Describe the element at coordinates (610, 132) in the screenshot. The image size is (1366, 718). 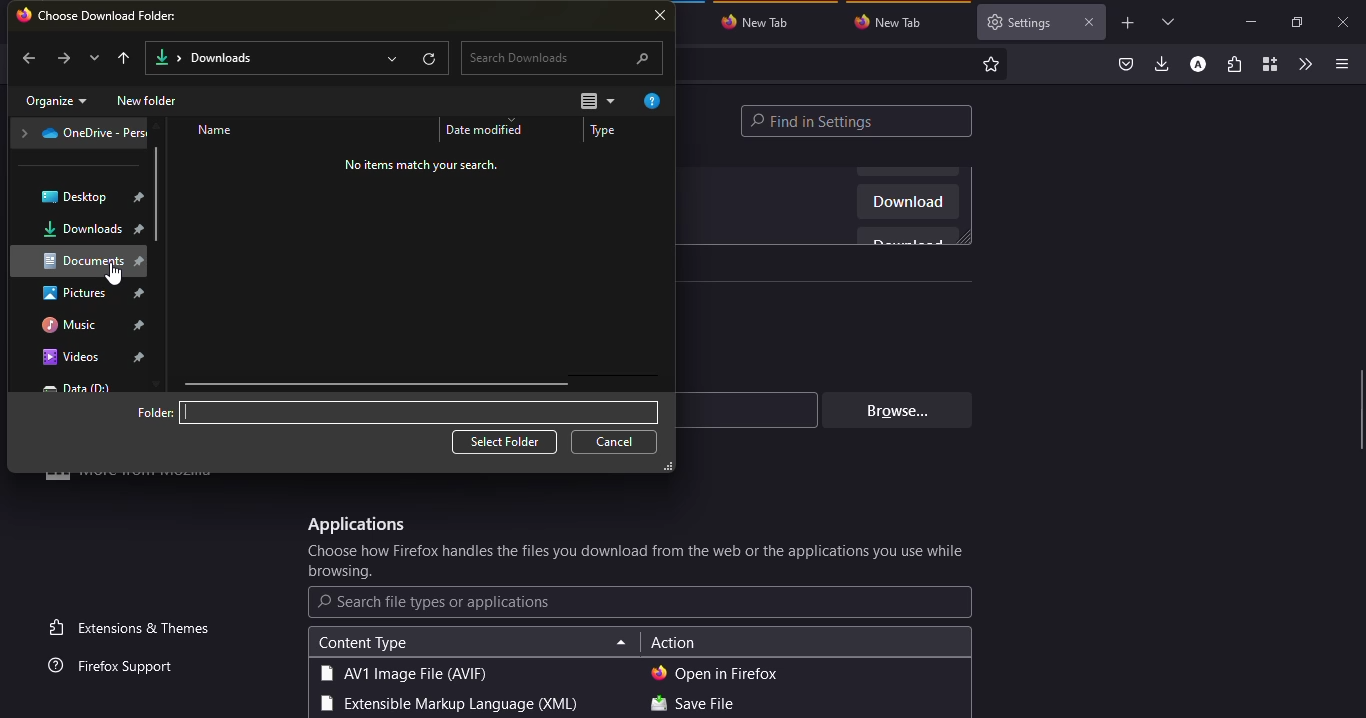
I see `type` at that location.